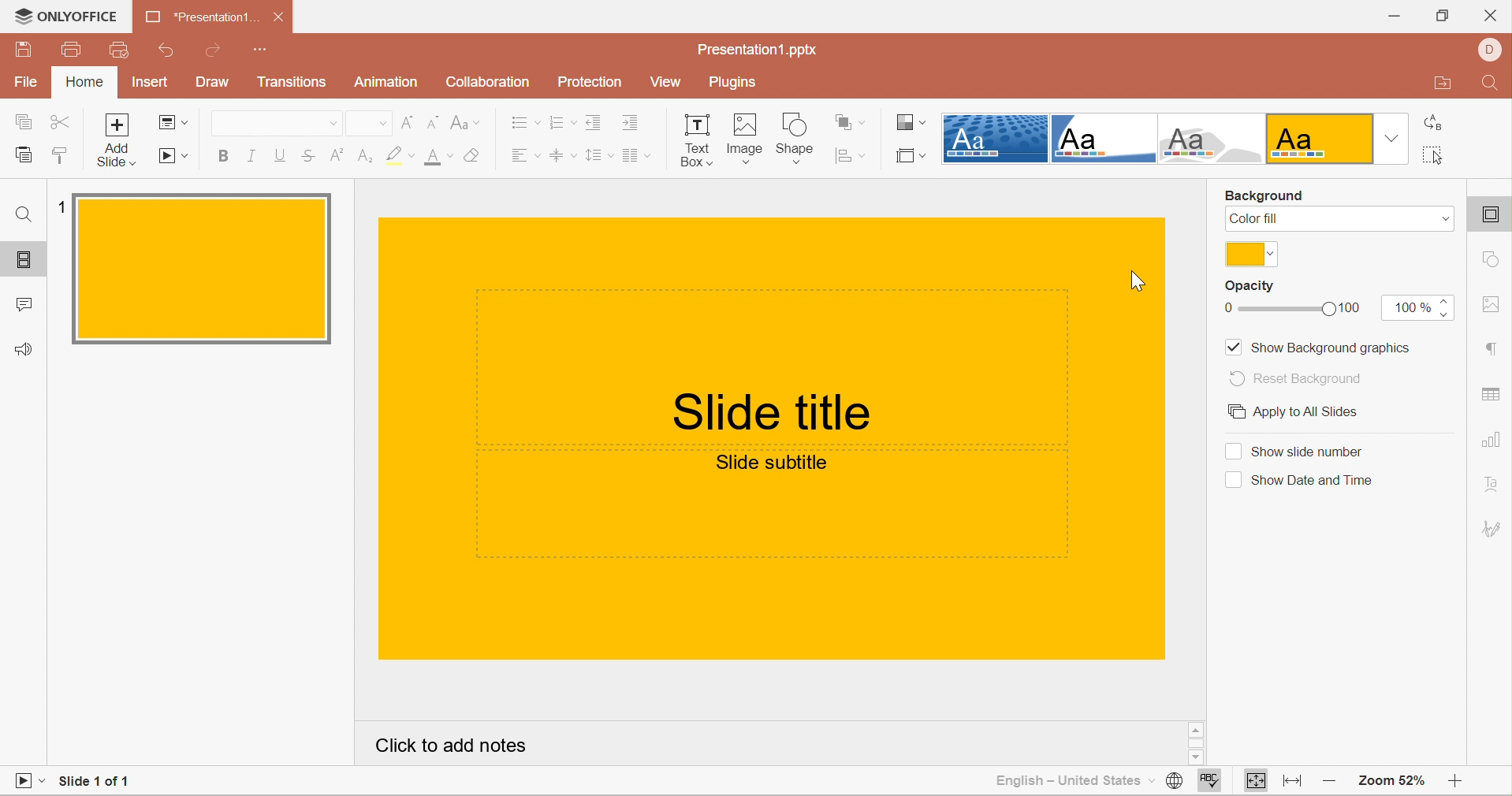 The width and height of the screenshot is (1512, 796). What do you see at coordinates (996, 139) in the screenshot?
I see `Dotted` at bounding box center [996, 139].